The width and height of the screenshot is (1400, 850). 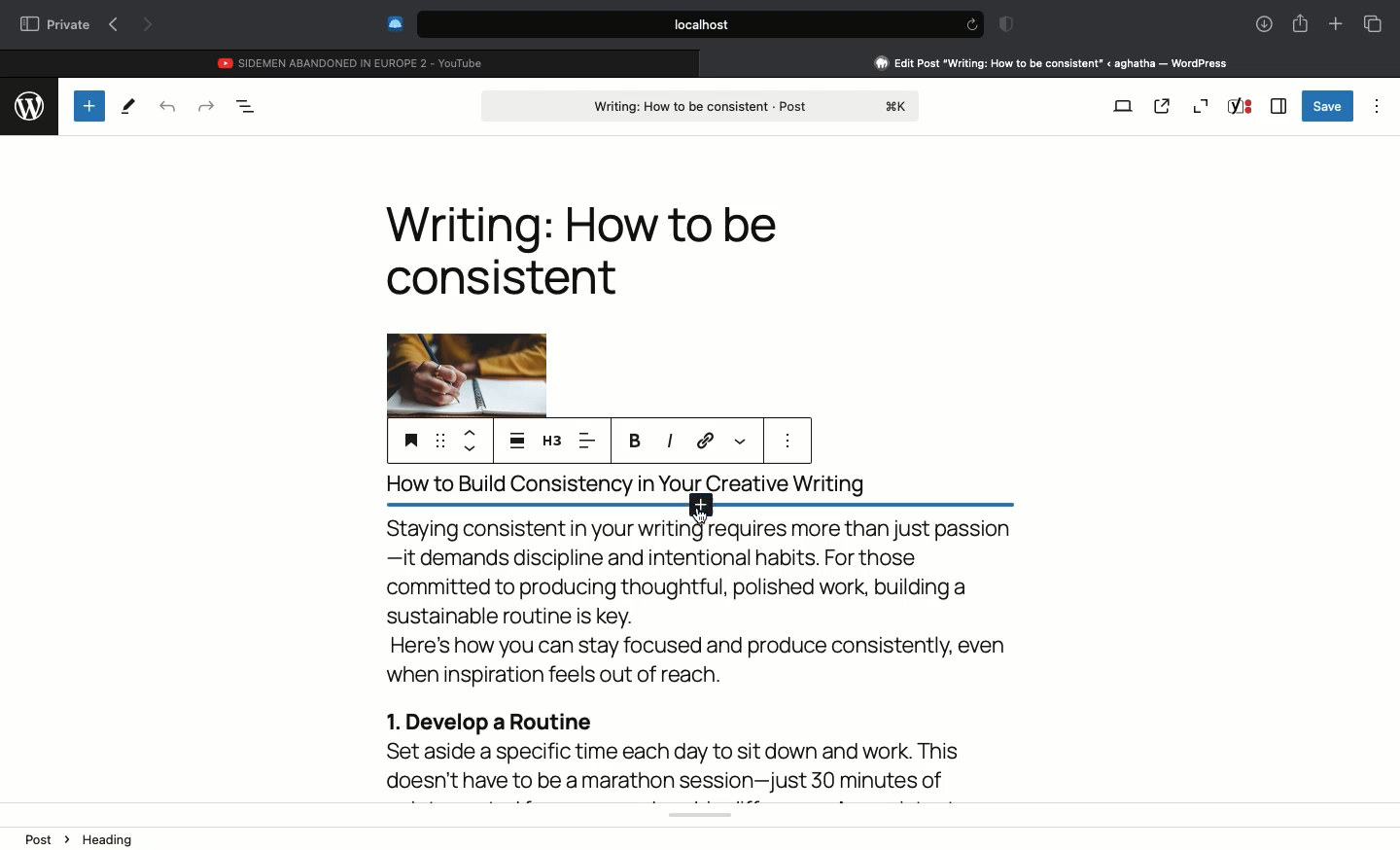 I want to click on Drag, so click(x=439, y=442).